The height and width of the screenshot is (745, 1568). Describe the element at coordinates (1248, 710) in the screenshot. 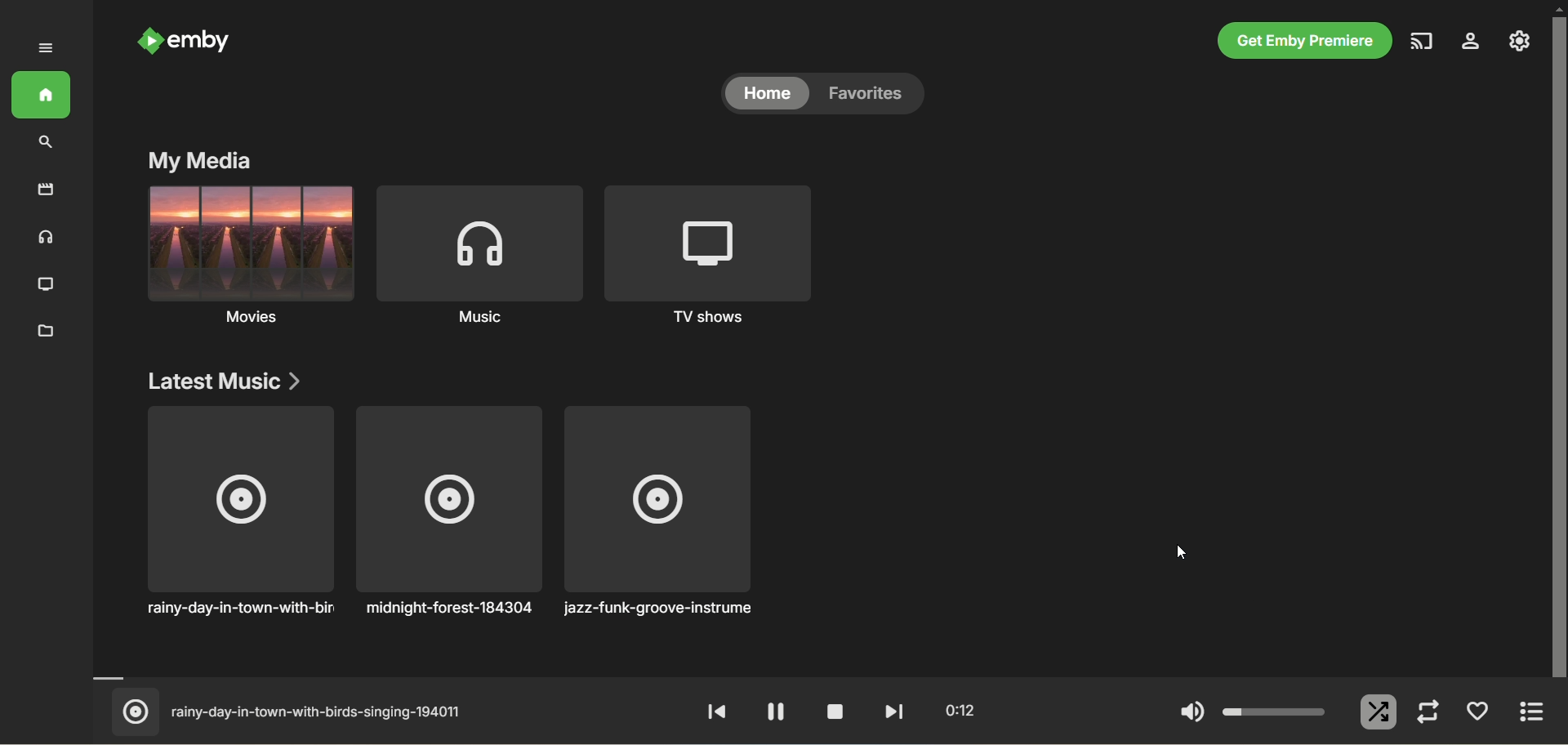

I see `volume` at that location.